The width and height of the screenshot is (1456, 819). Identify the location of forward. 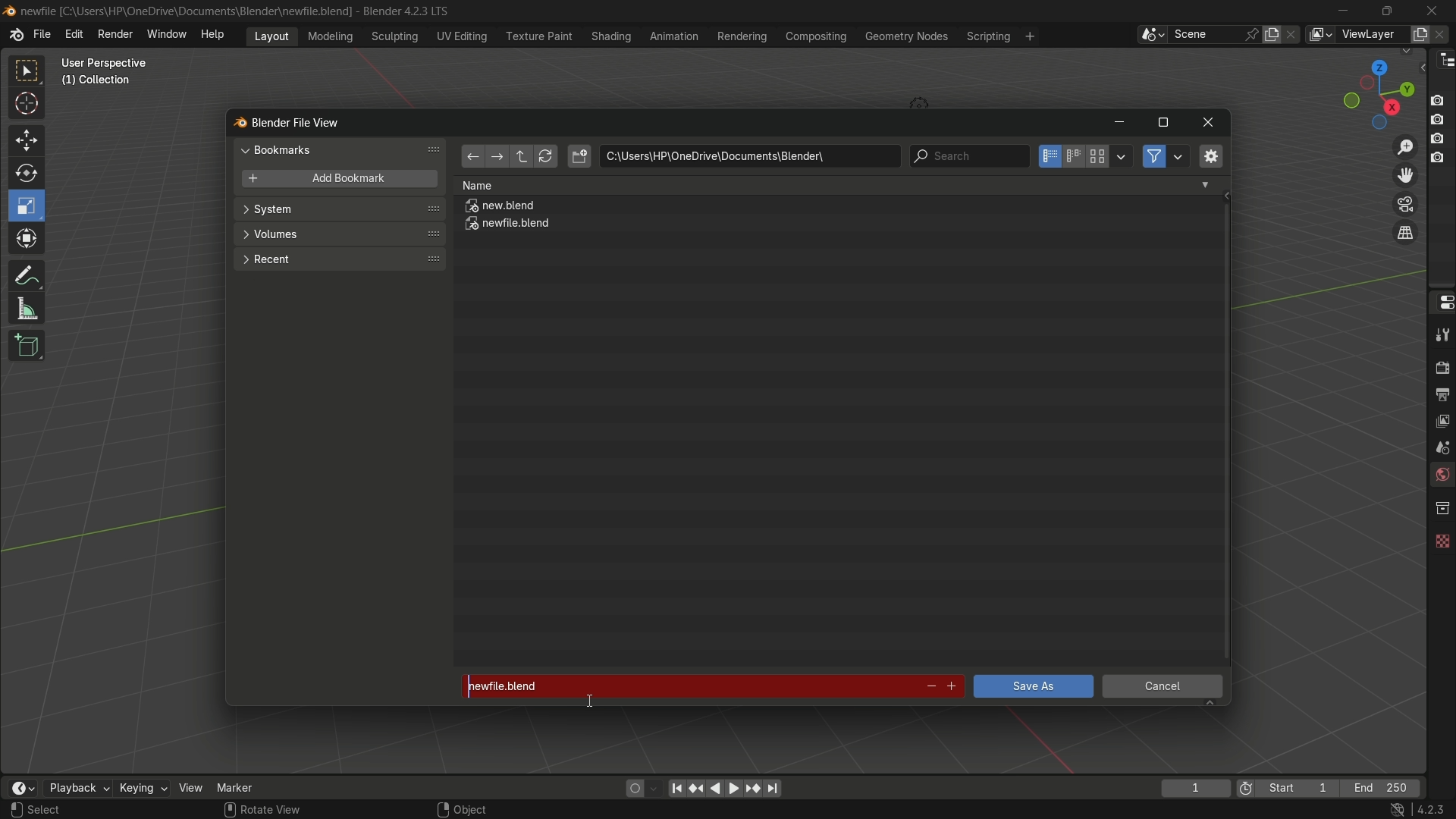
(495, 158).